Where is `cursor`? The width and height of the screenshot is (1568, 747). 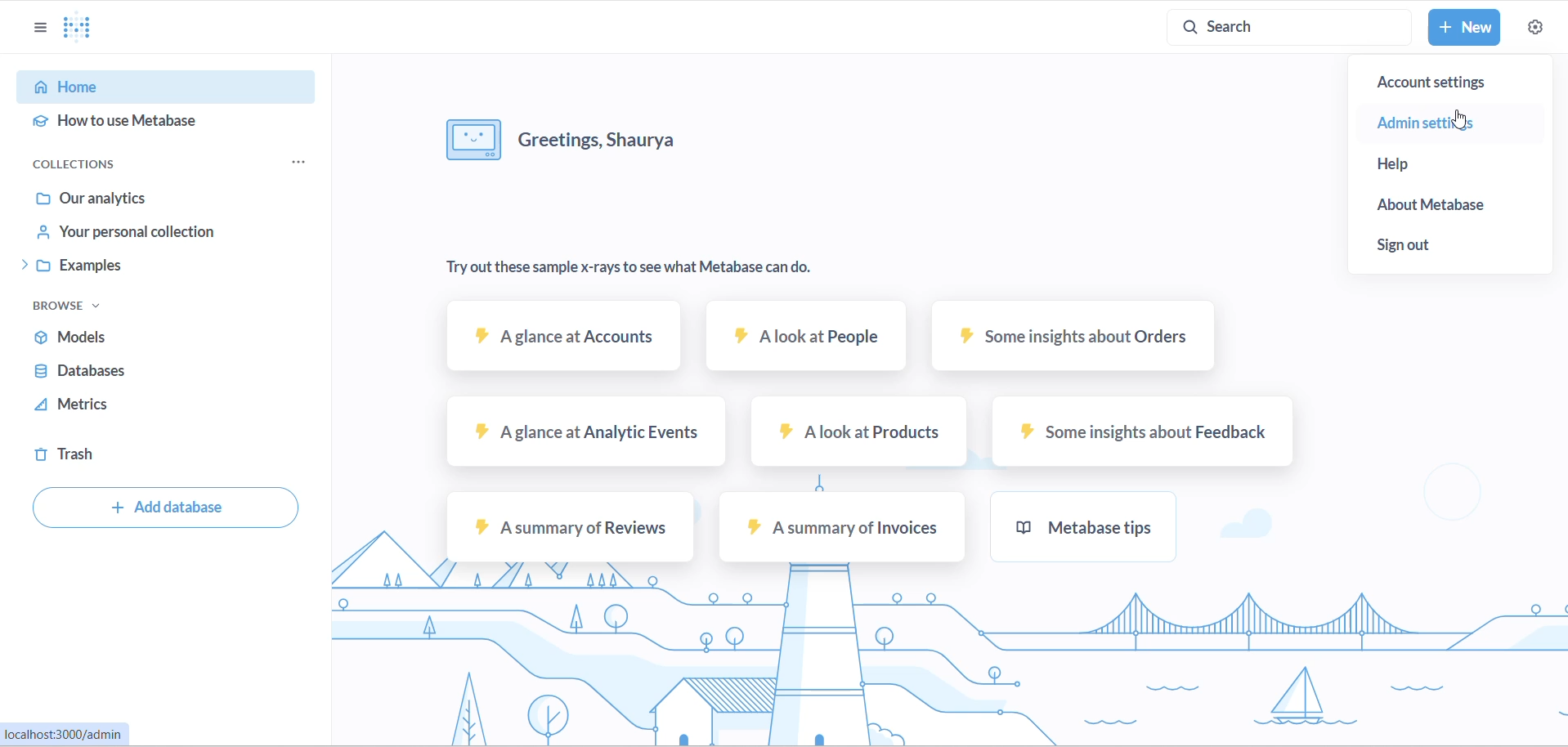
cursor is located at coordinates (1465, 121).